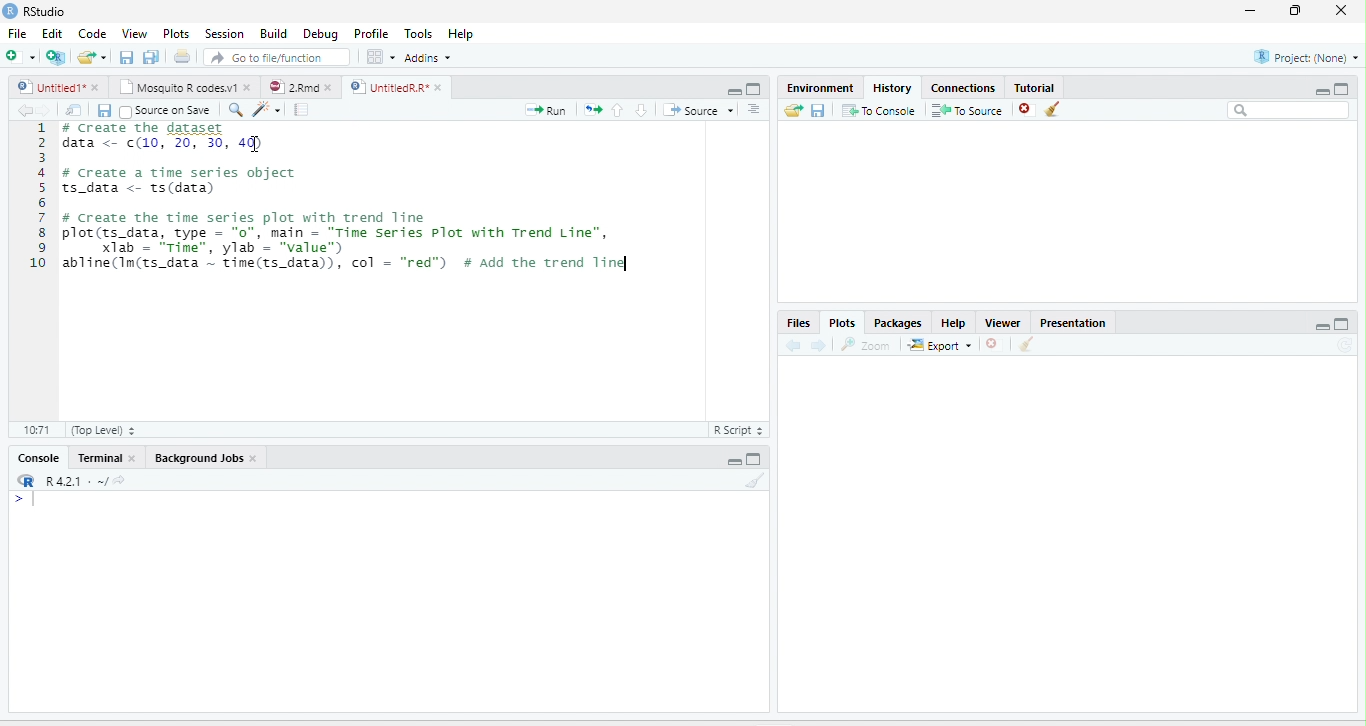  What do you see at coordinates (36, 197) in the screenshot?
I see `Line number` at bounding box center [36, 197].